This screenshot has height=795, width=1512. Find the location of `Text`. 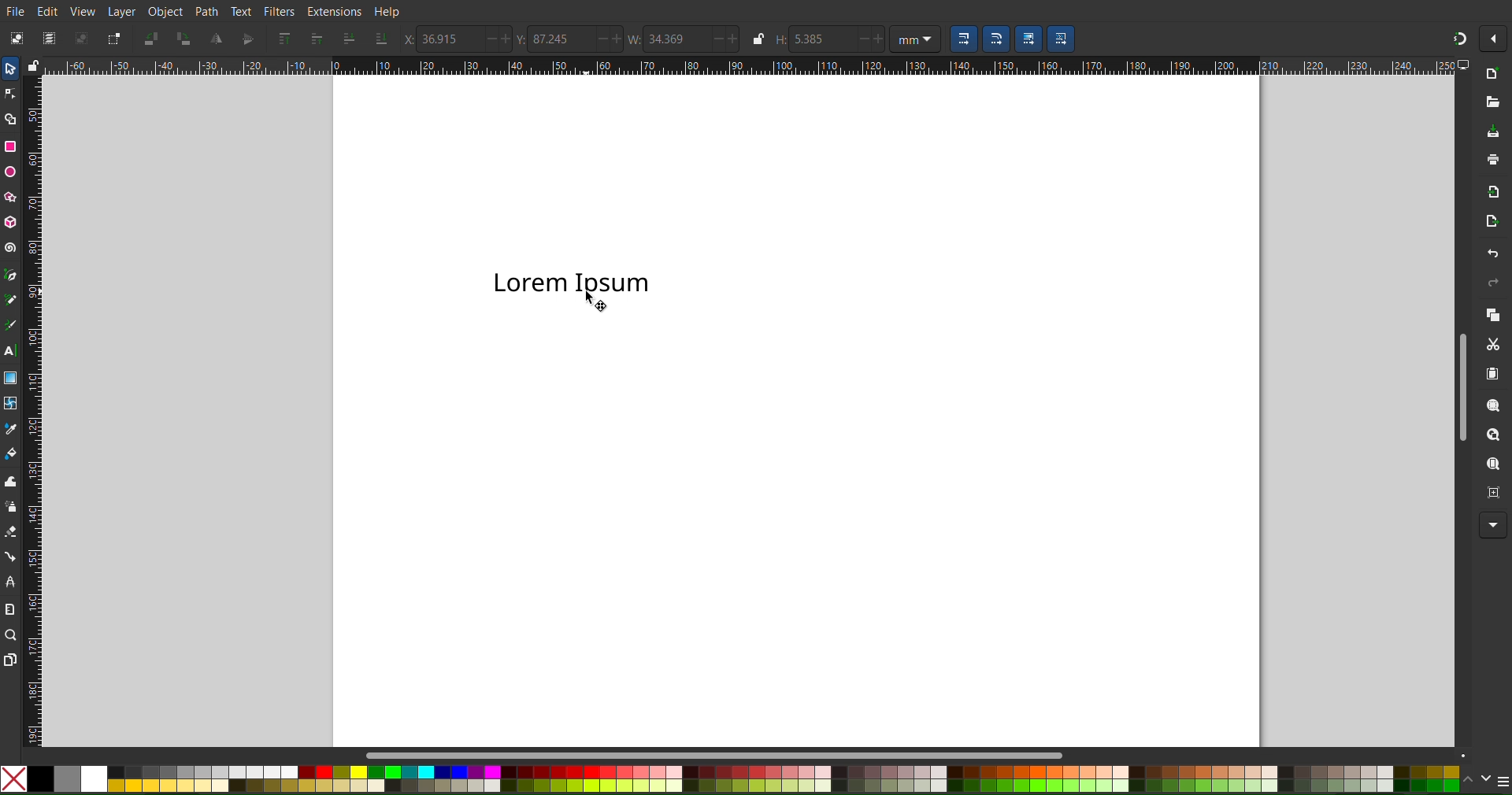

Text is located at coordinates (242, 11).